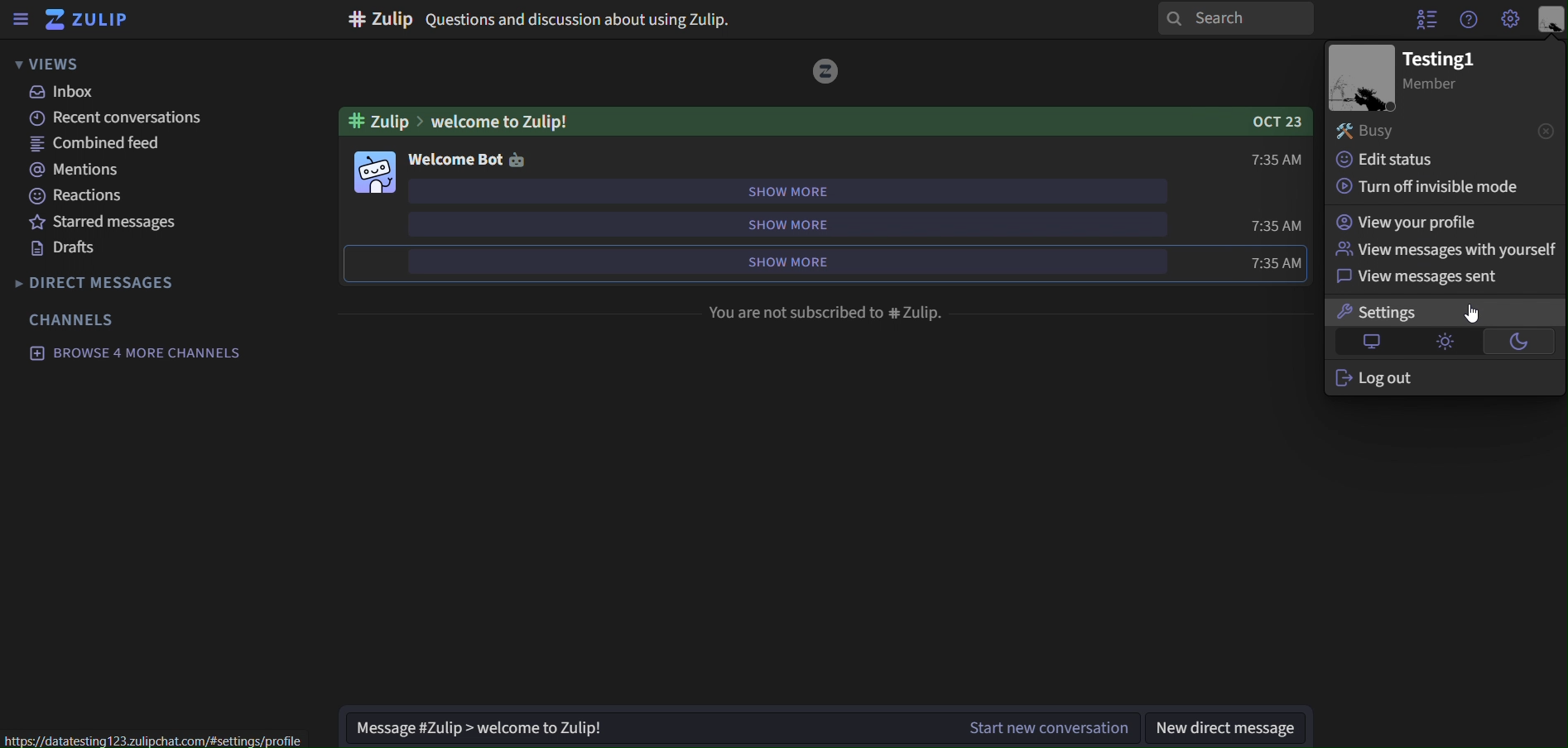 This screenshot has width=1568, height=748. What do you see at coordinates (1368, 342) in the screenshot?
I see `default theme` at bounding box center [1368, 342].